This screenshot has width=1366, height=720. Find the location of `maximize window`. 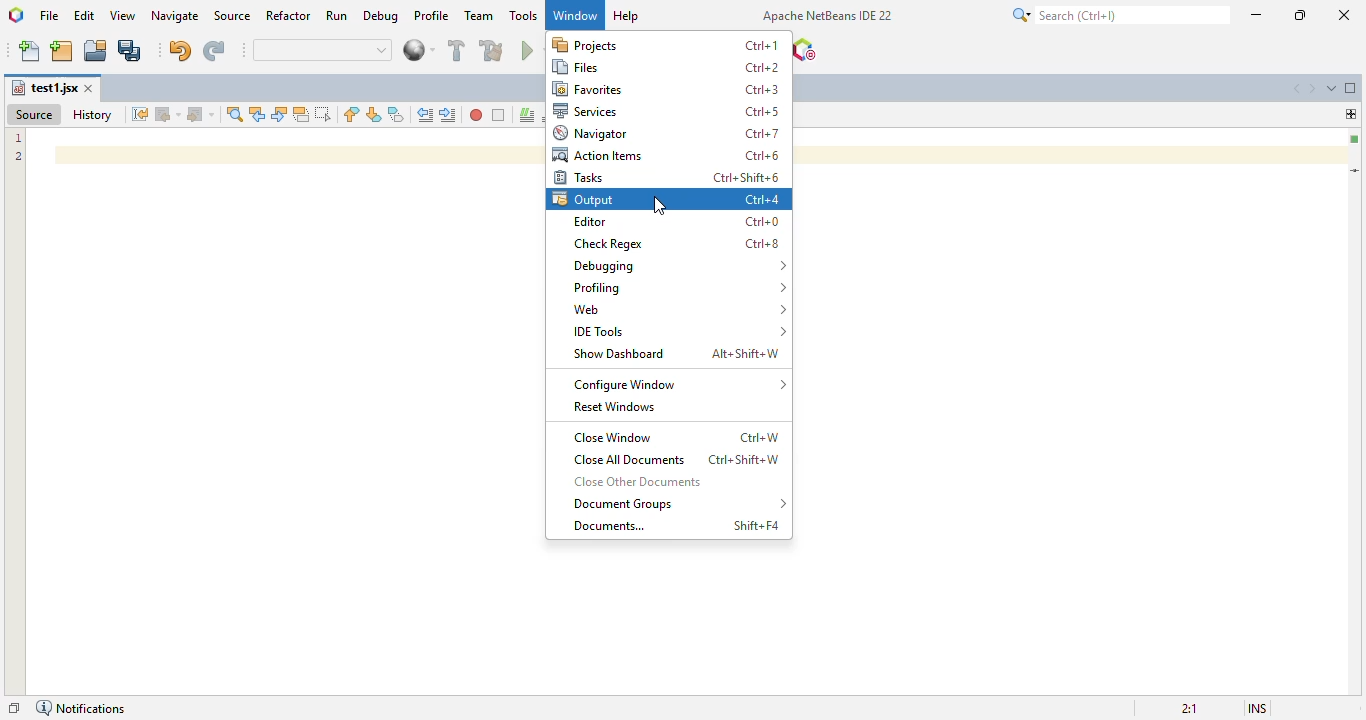

maximize window is located at coordinates (1351, 87).